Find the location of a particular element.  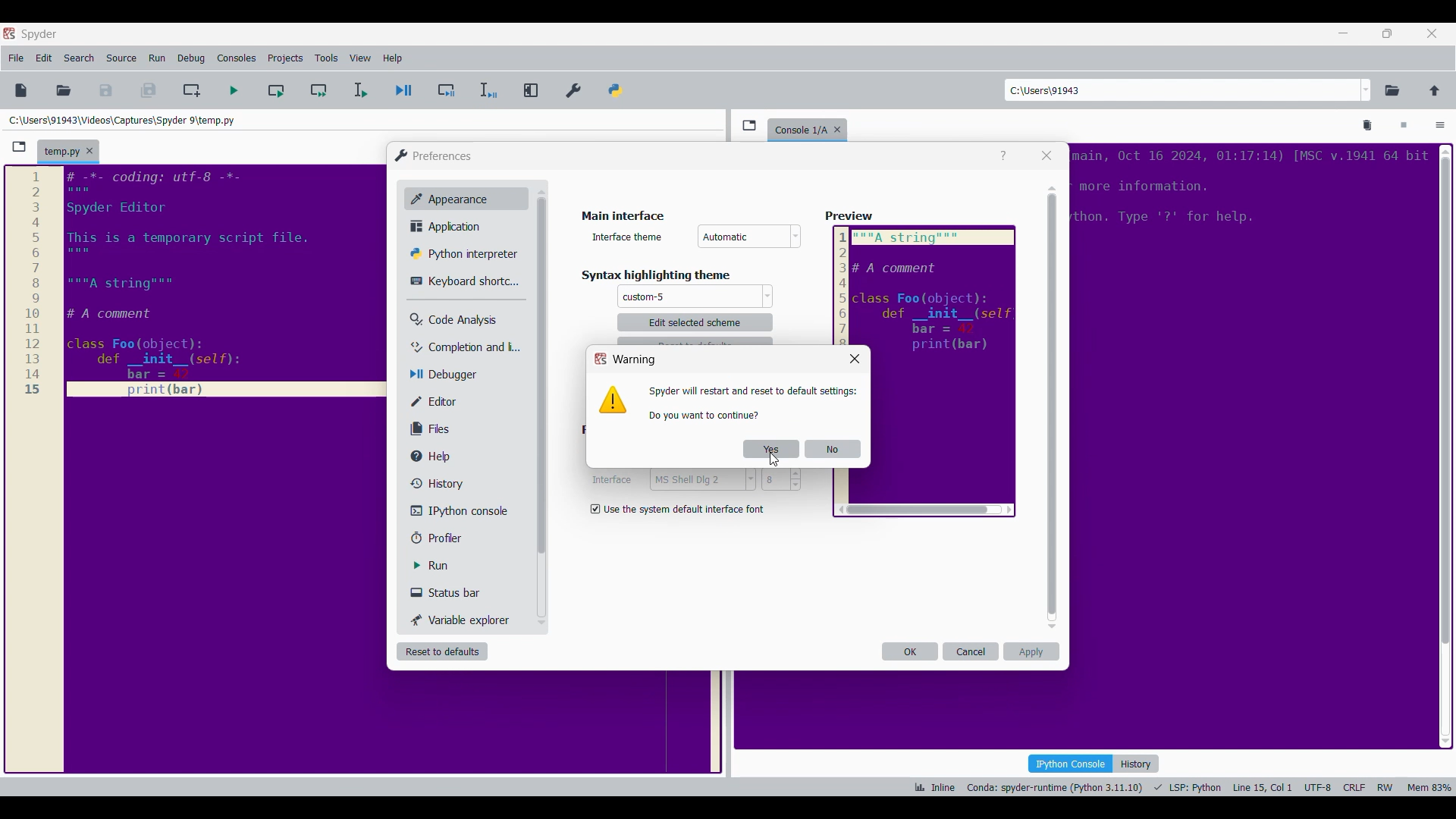

Cancel is located at coordinates (971, 651).